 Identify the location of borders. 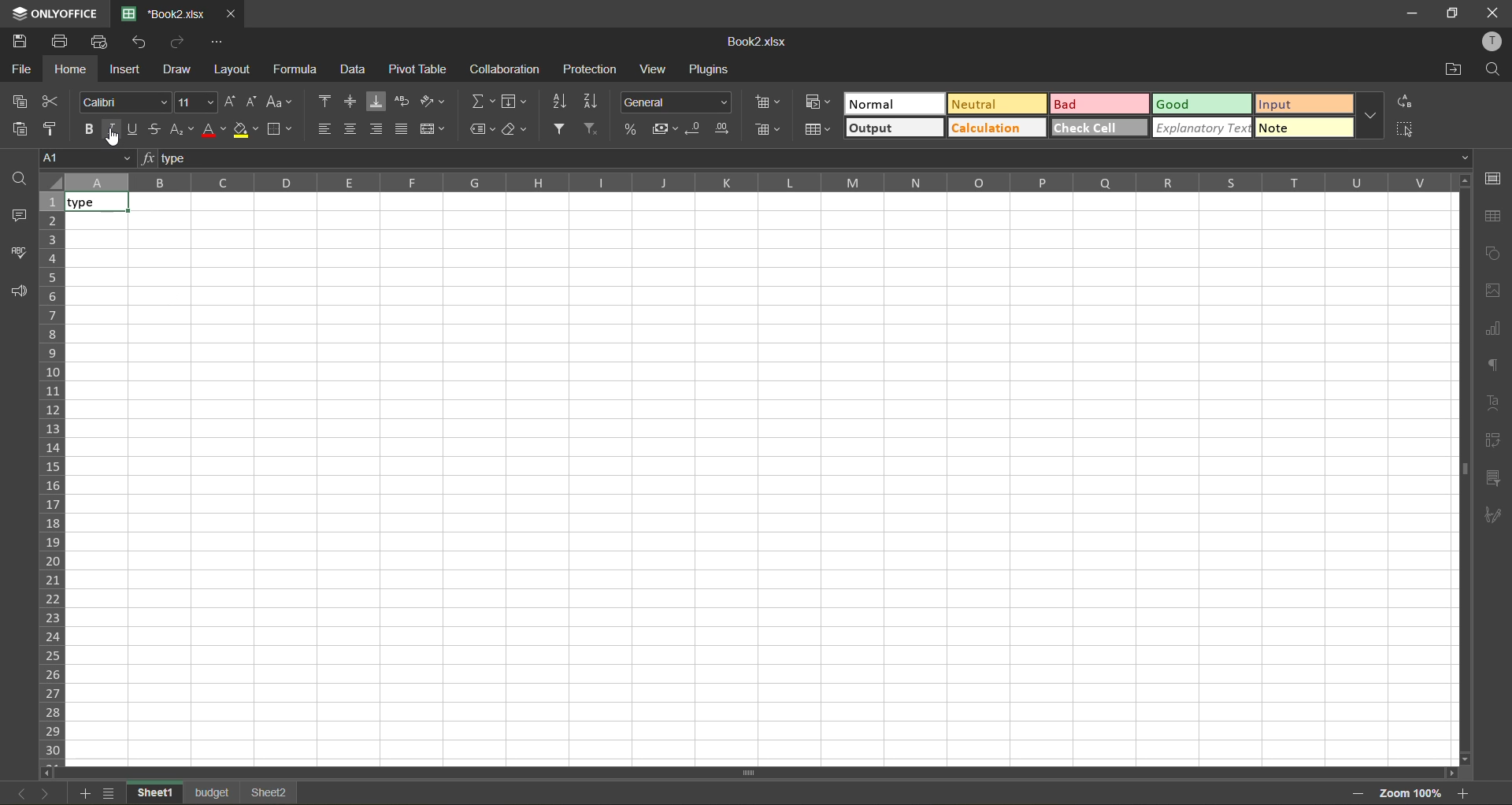
(281, 129).